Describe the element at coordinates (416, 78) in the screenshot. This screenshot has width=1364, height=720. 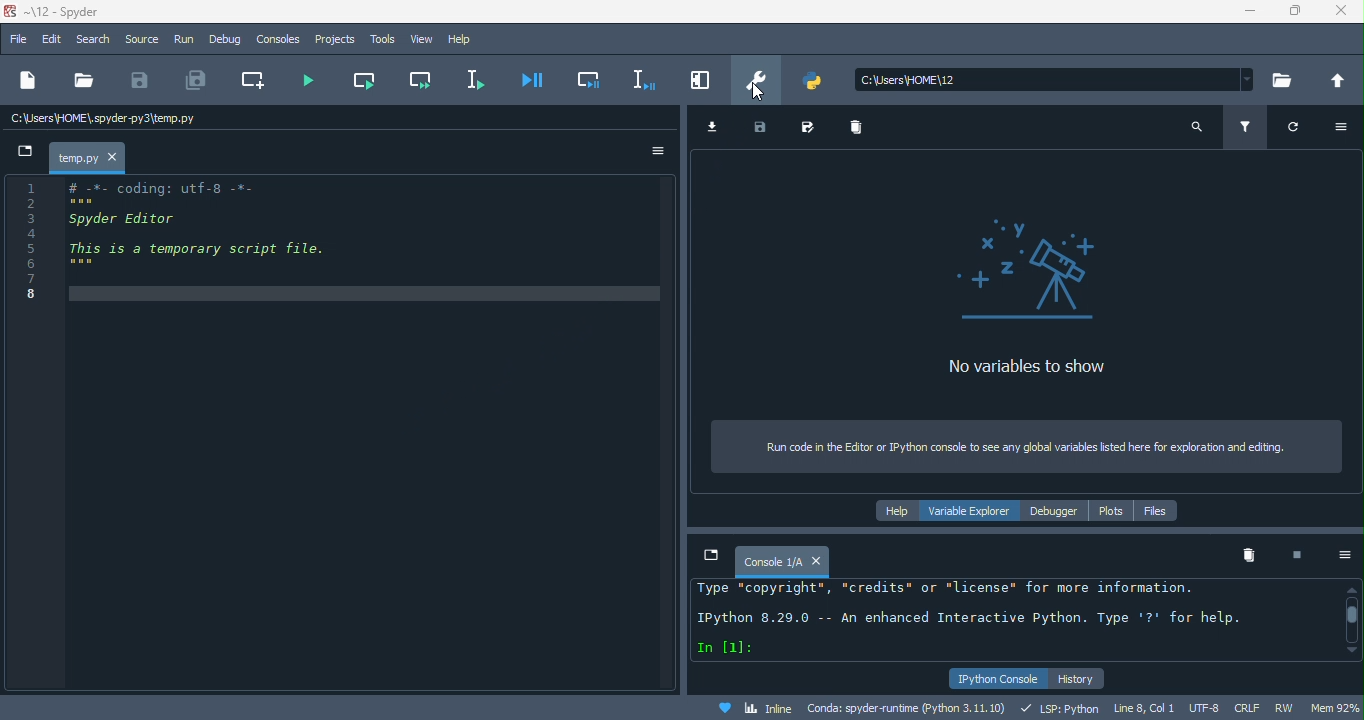
I see `run current cell and go to the next one` at that location.